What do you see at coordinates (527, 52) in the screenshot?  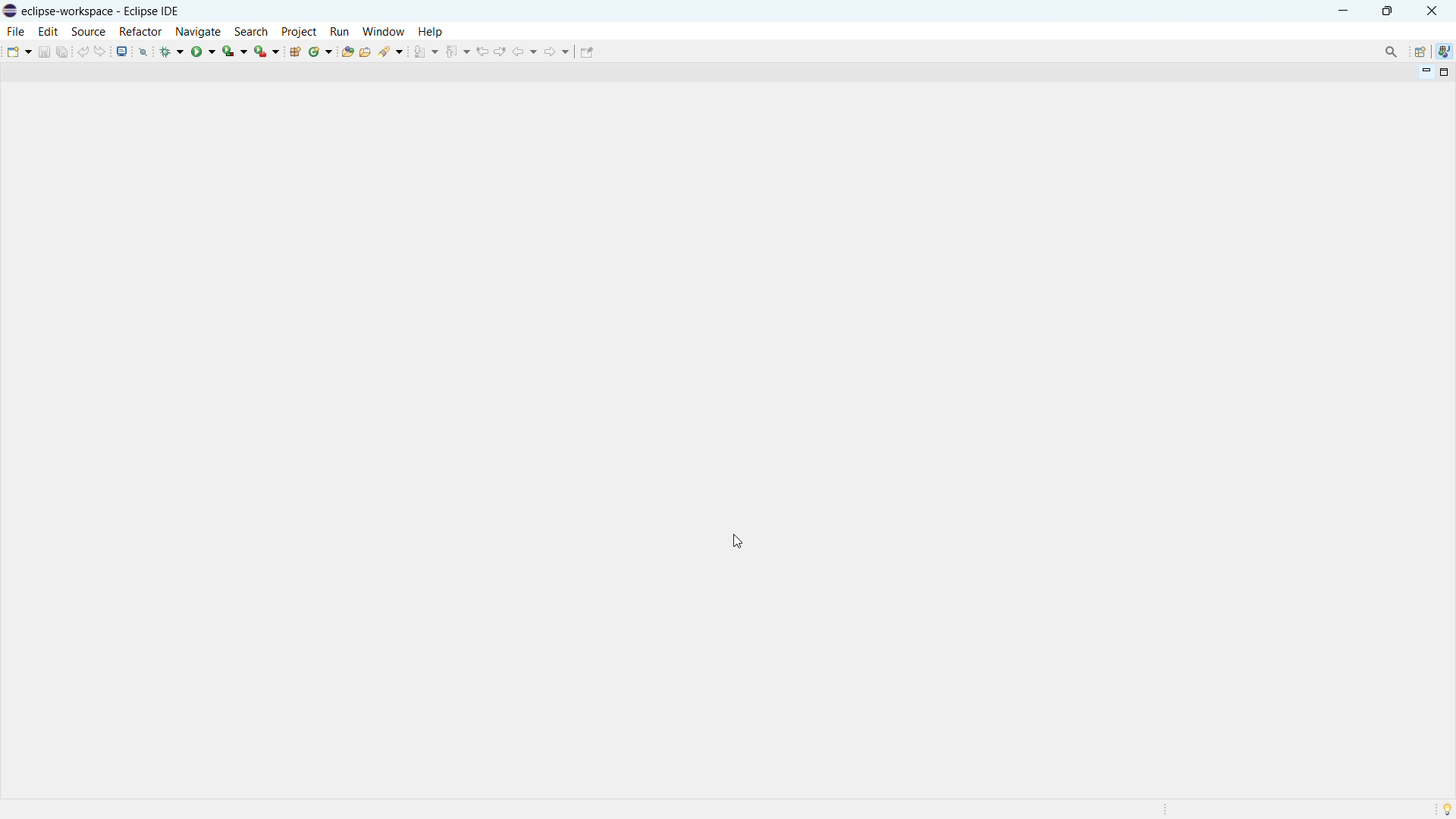 I see `back` at bounding box center [527, 52].